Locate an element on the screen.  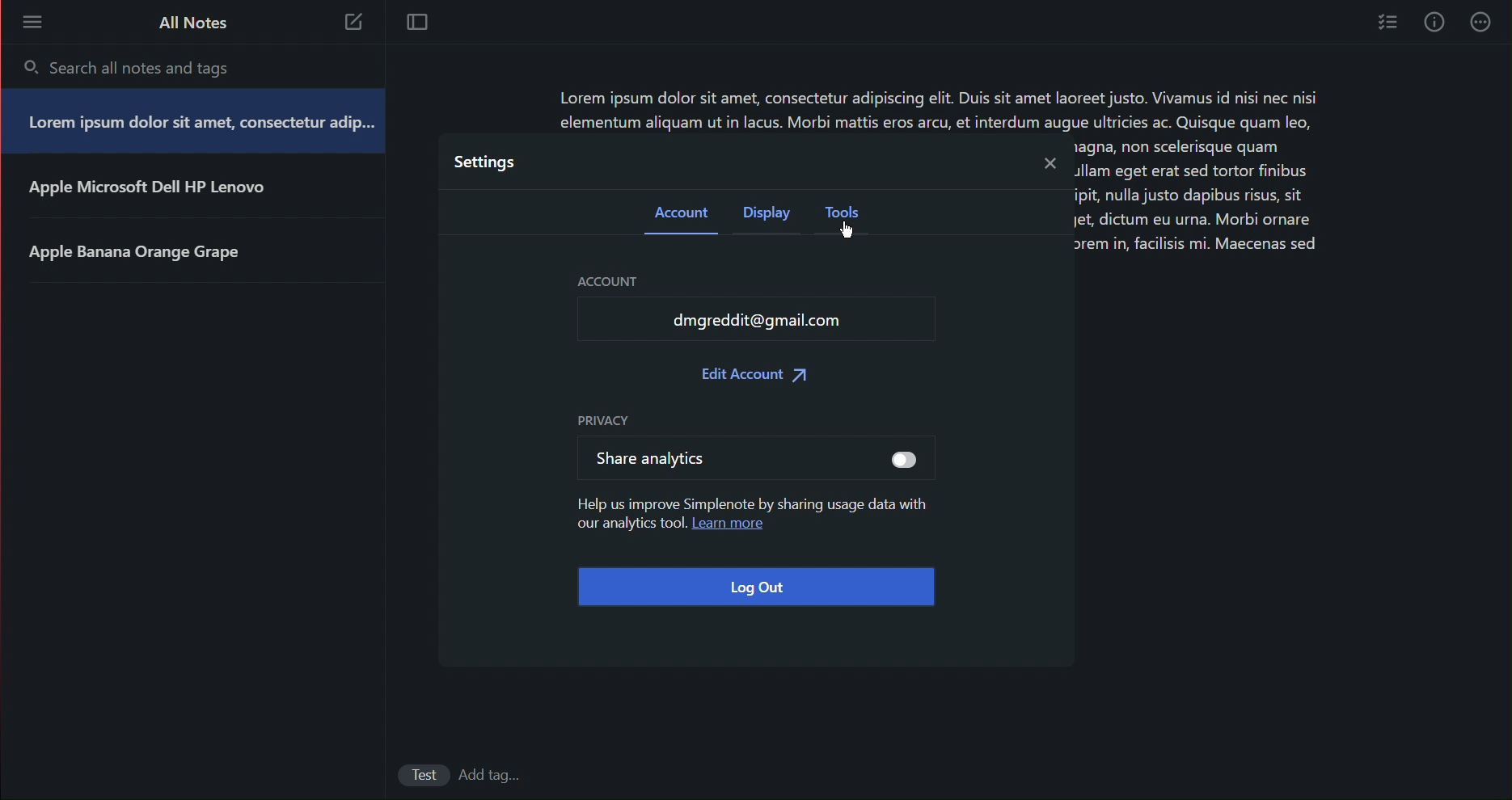
More is located at coordinates (32, 24).